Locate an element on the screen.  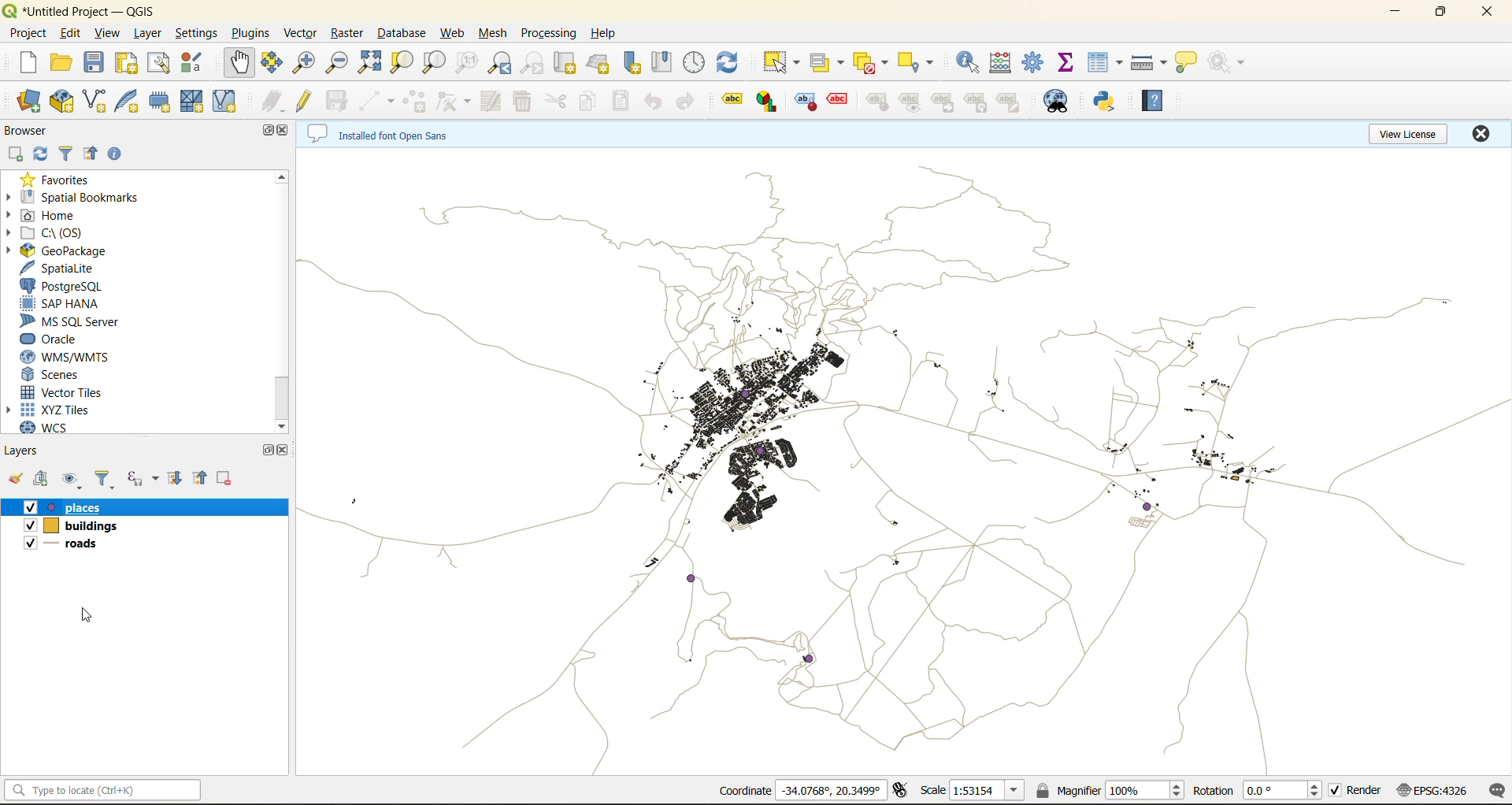
zoom native is located at coordinates (467, 65).